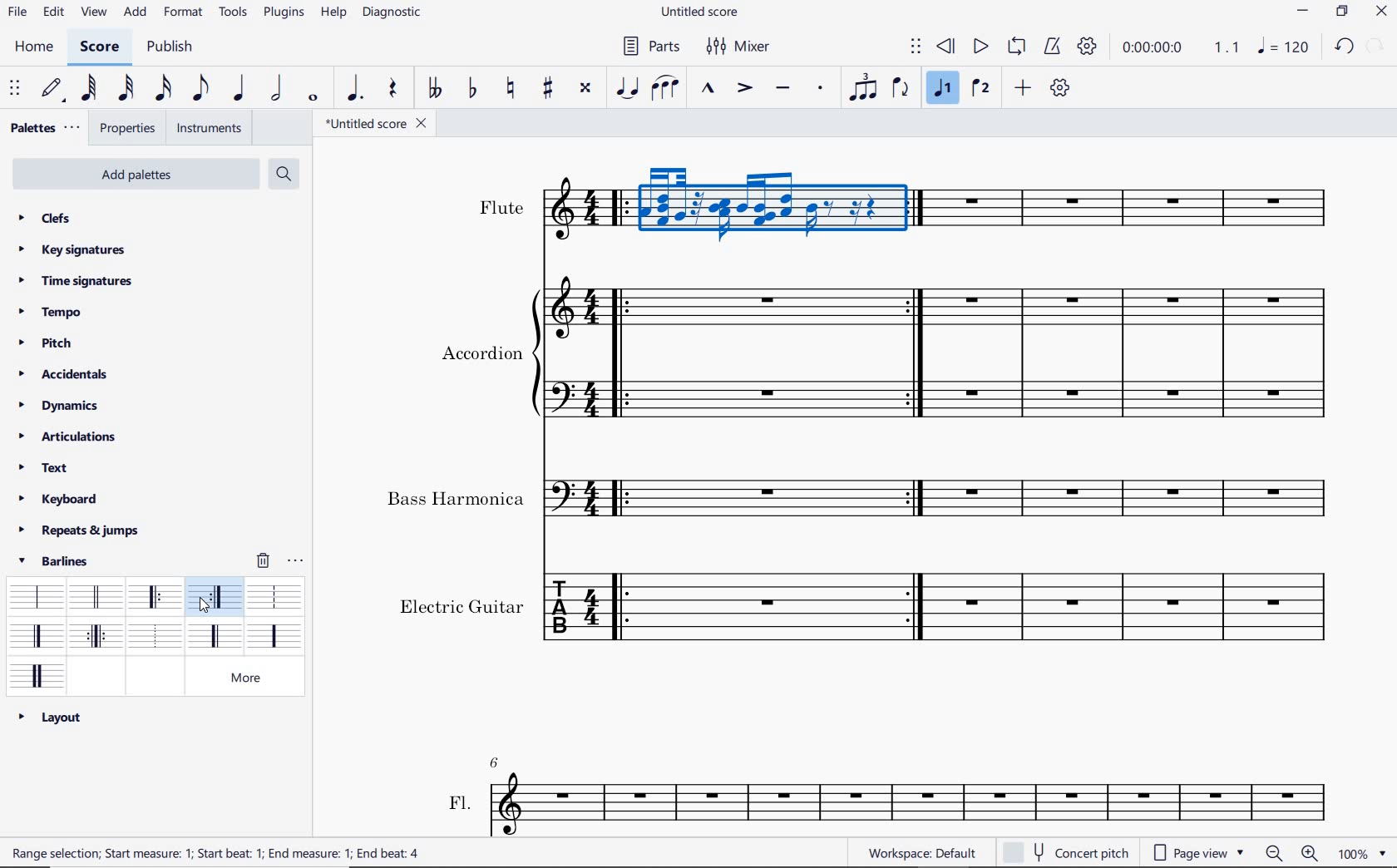  What do you see at coordinates (156, 599) in the screenshot?
I see `left (start) repeat sign` at bounding box center [156, 599].